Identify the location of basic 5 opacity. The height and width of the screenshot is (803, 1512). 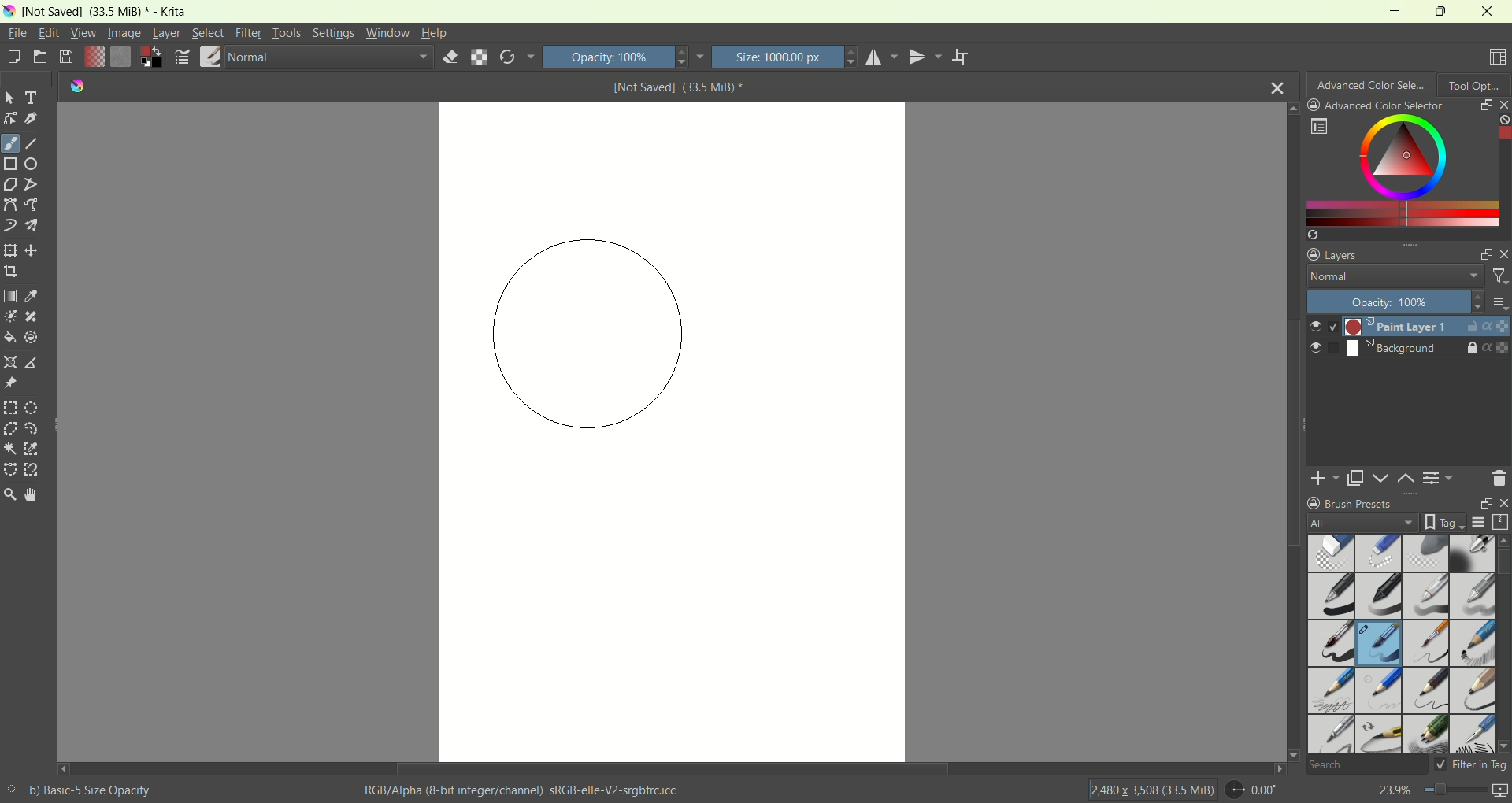
(1380, 646).